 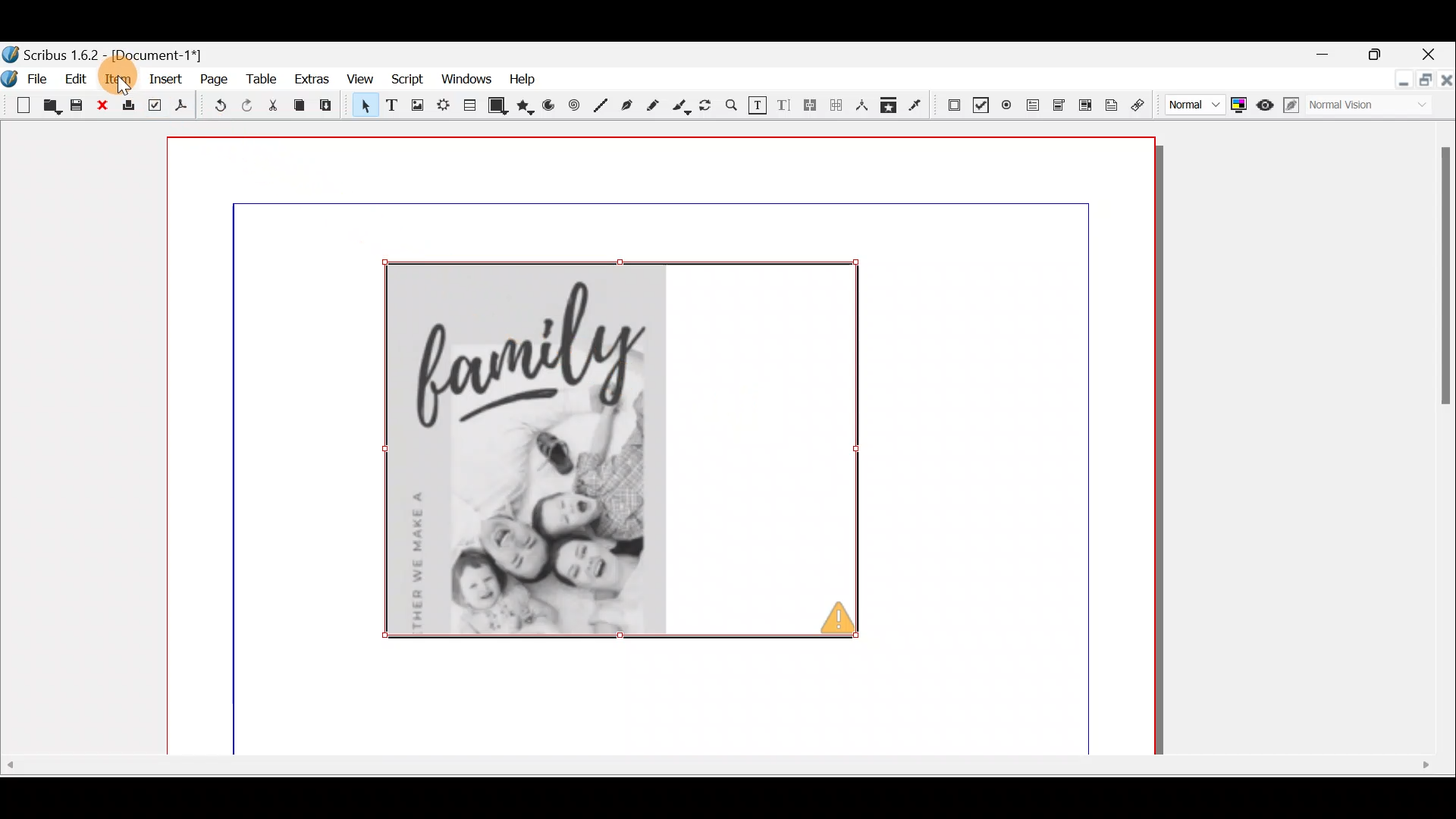 I want to click on Maximise, so click(x=1377, y=54).